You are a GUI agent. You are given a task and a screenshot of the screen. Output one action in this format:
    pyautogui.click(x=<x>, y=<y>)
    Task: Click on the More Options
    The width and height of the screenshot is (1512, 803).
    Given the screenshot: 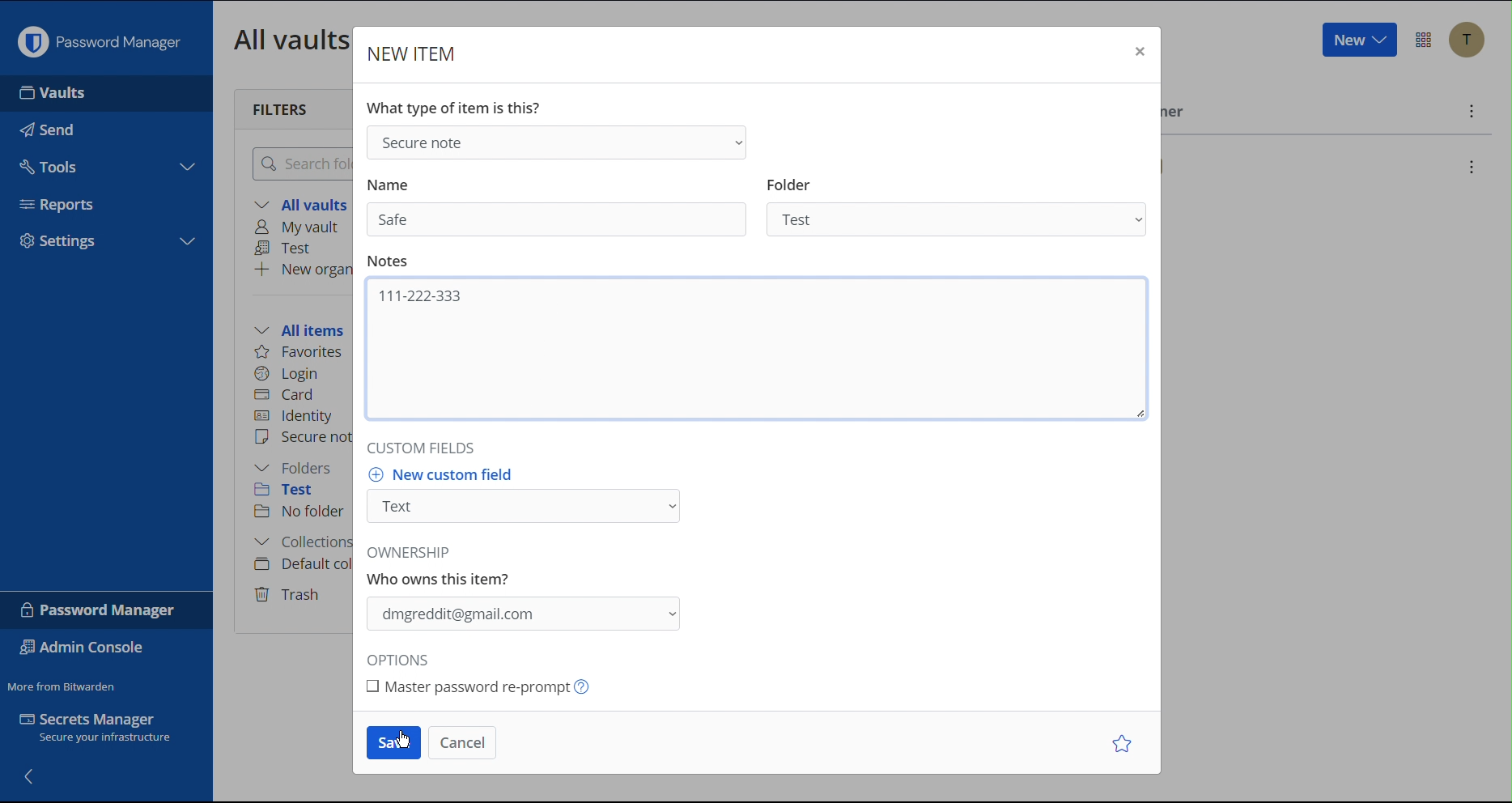 What is the action you would take?
    pyautogui.click(x=1424, y=40)
    